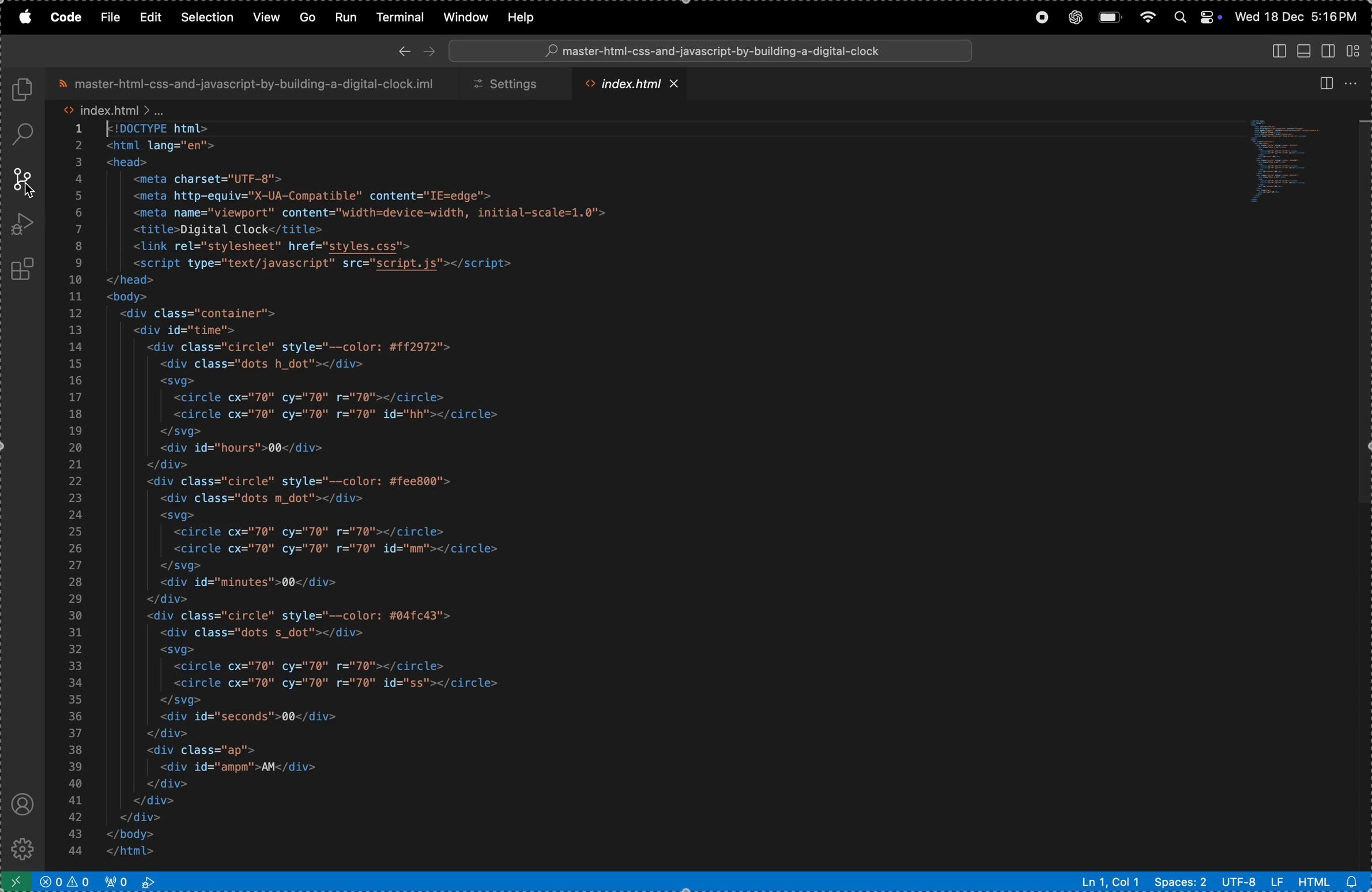  What do you see at coordinates (165, 734) in the screenshot?
I see `</div>` at bounding box center [165, 734].